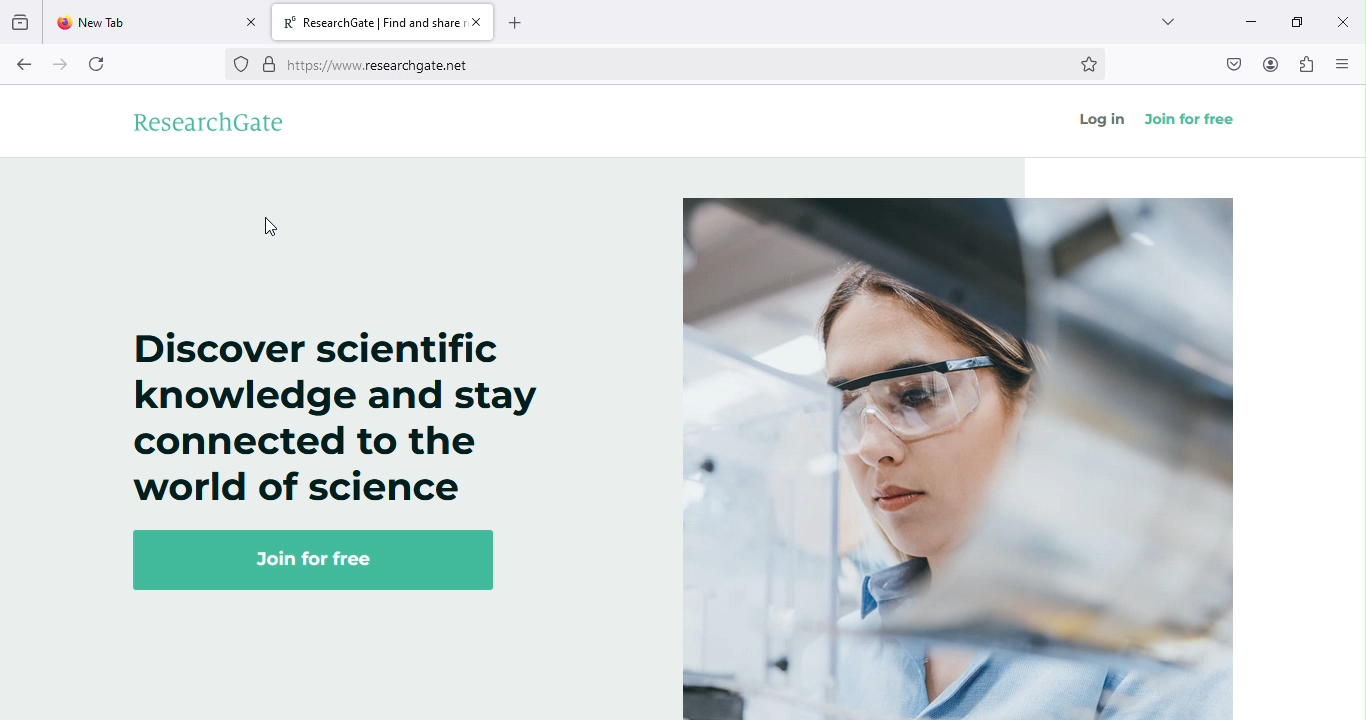 This screenshot has width=1366, height=720. Describe the element at coordinates (370, 22) in the screenshot. I see `R® ResearchGate | Find and share` at that location.